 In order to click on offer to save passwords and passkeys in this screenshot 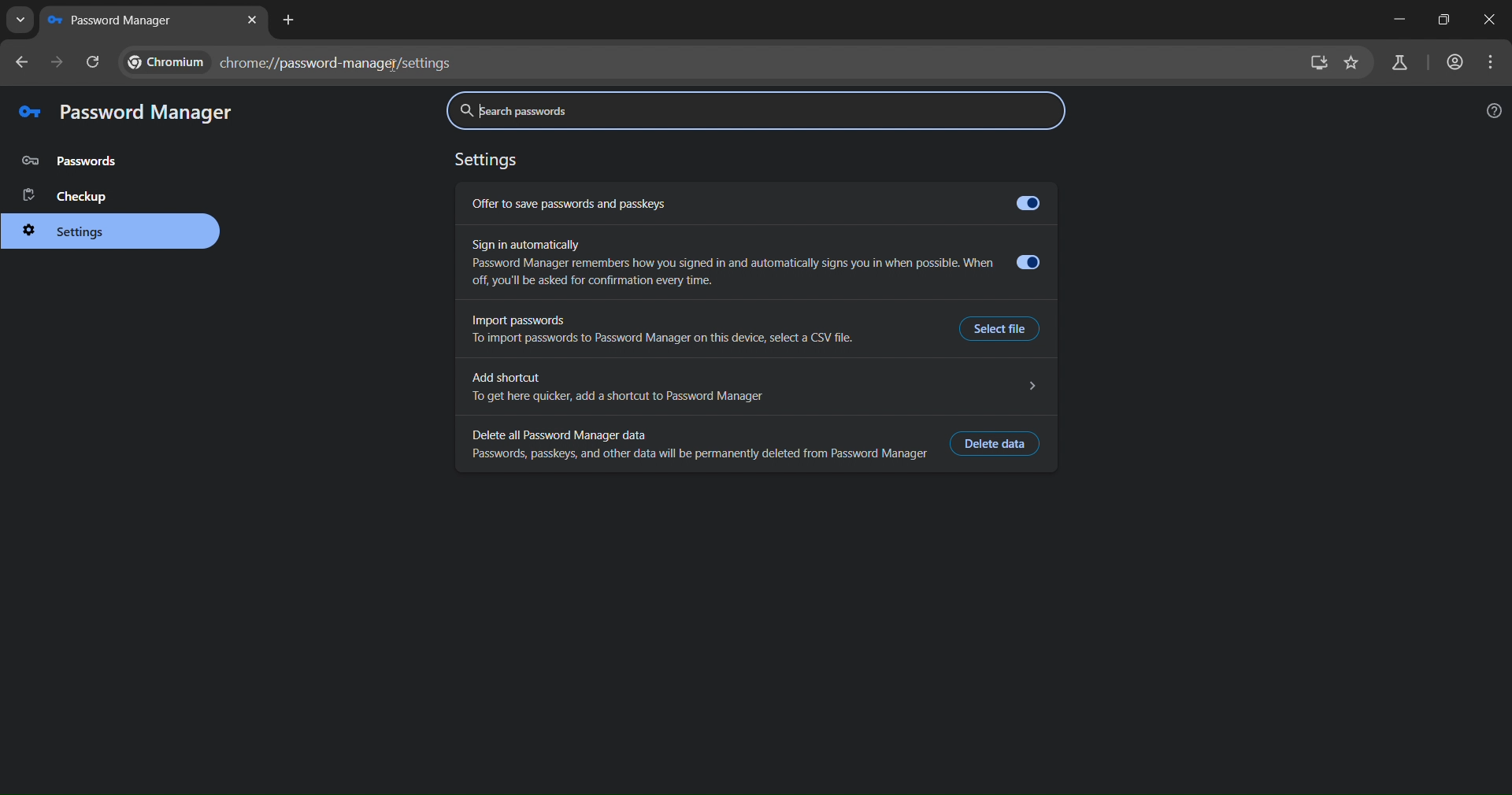, I will do `click(569, 203)`.